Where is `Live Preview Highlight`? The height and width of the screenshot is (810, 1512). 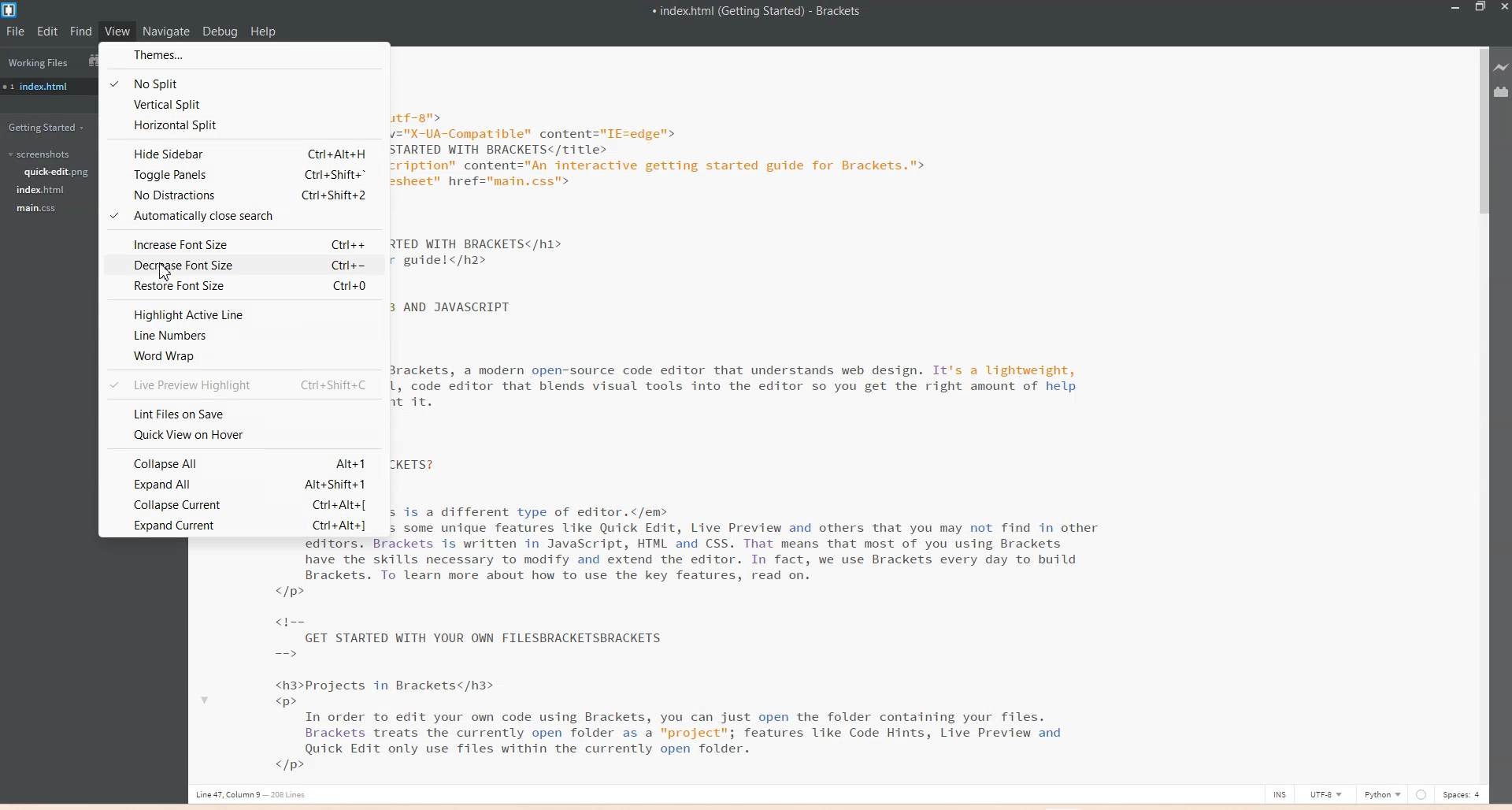
Live Preview Highlight is located at coordinates (244, 385).